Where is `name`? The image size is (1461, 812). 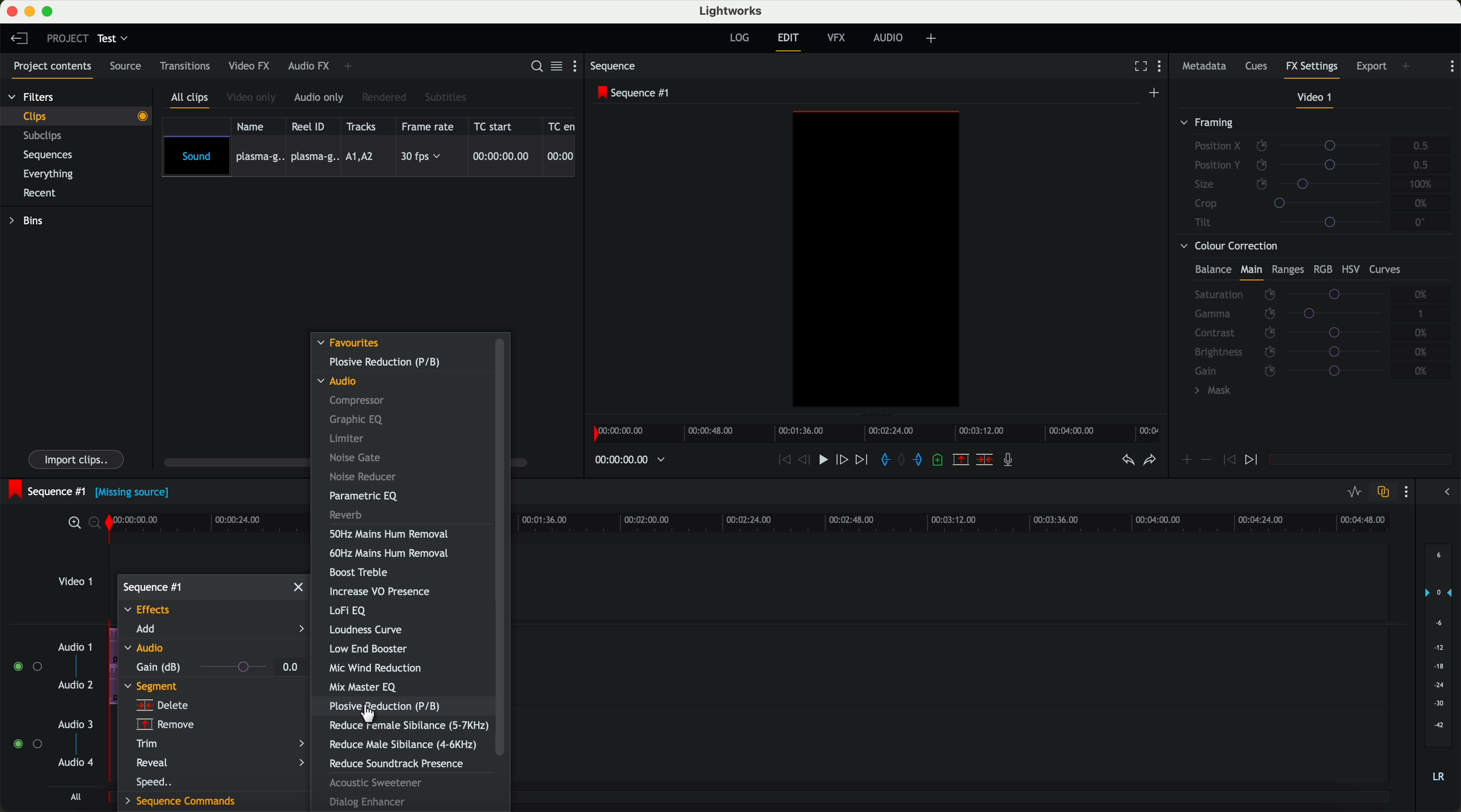
name is located at coordinates (254, 126).